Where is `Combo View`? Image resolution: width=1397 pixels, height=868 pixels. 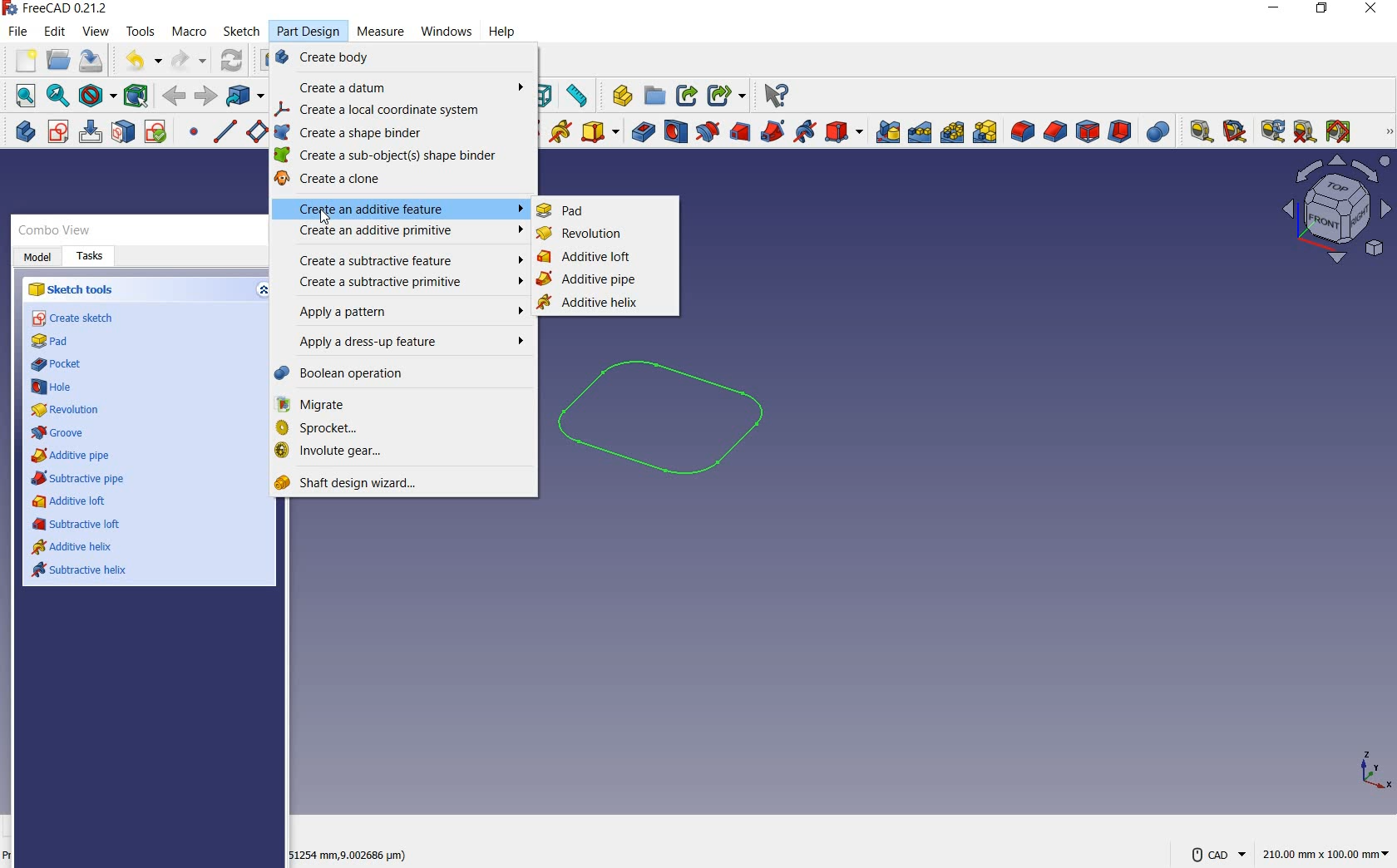 Combo View is located at coordinates (59, 229).